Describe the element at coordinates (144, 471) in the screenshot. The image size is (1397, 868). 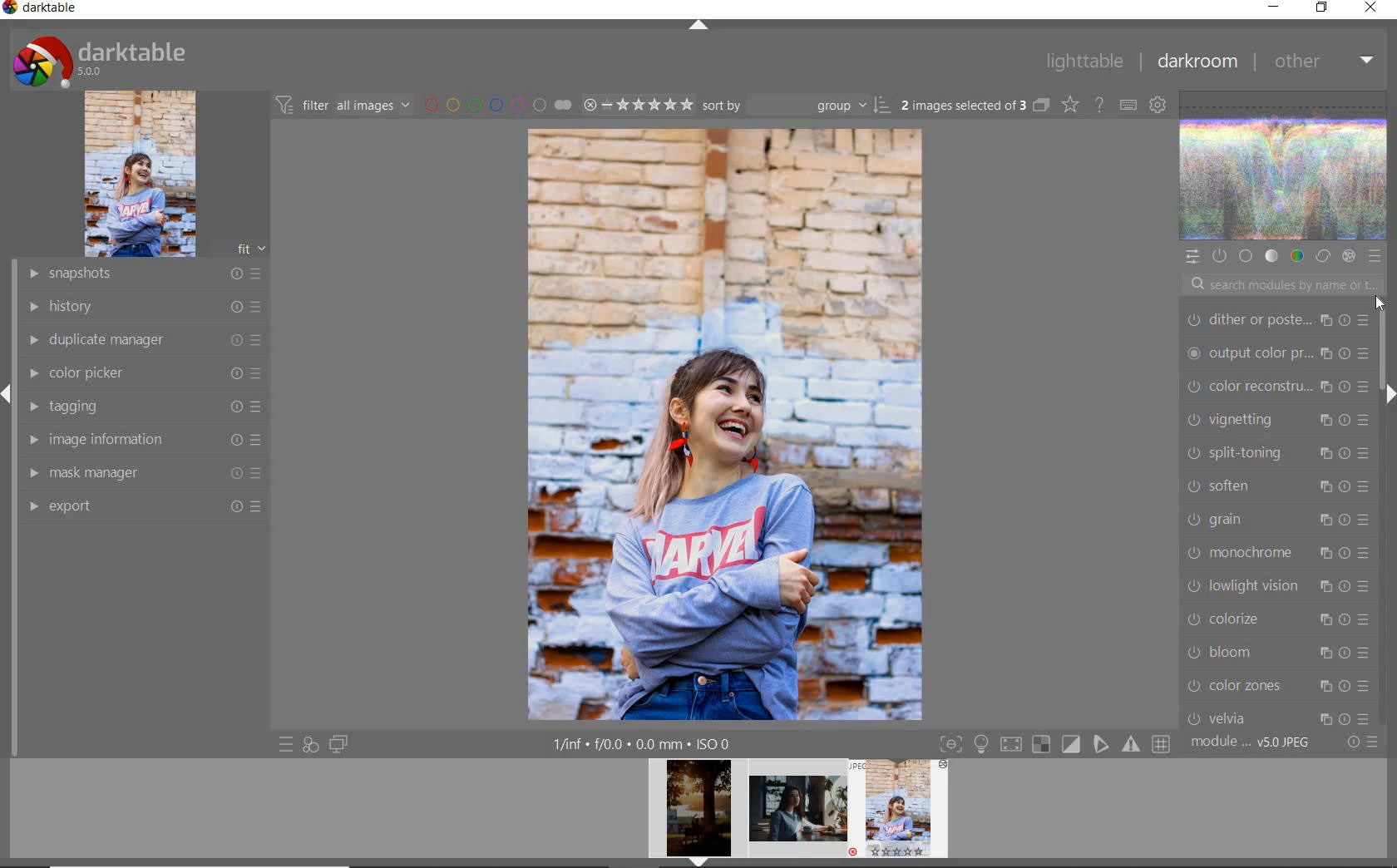
I see `mask manager` at that location.